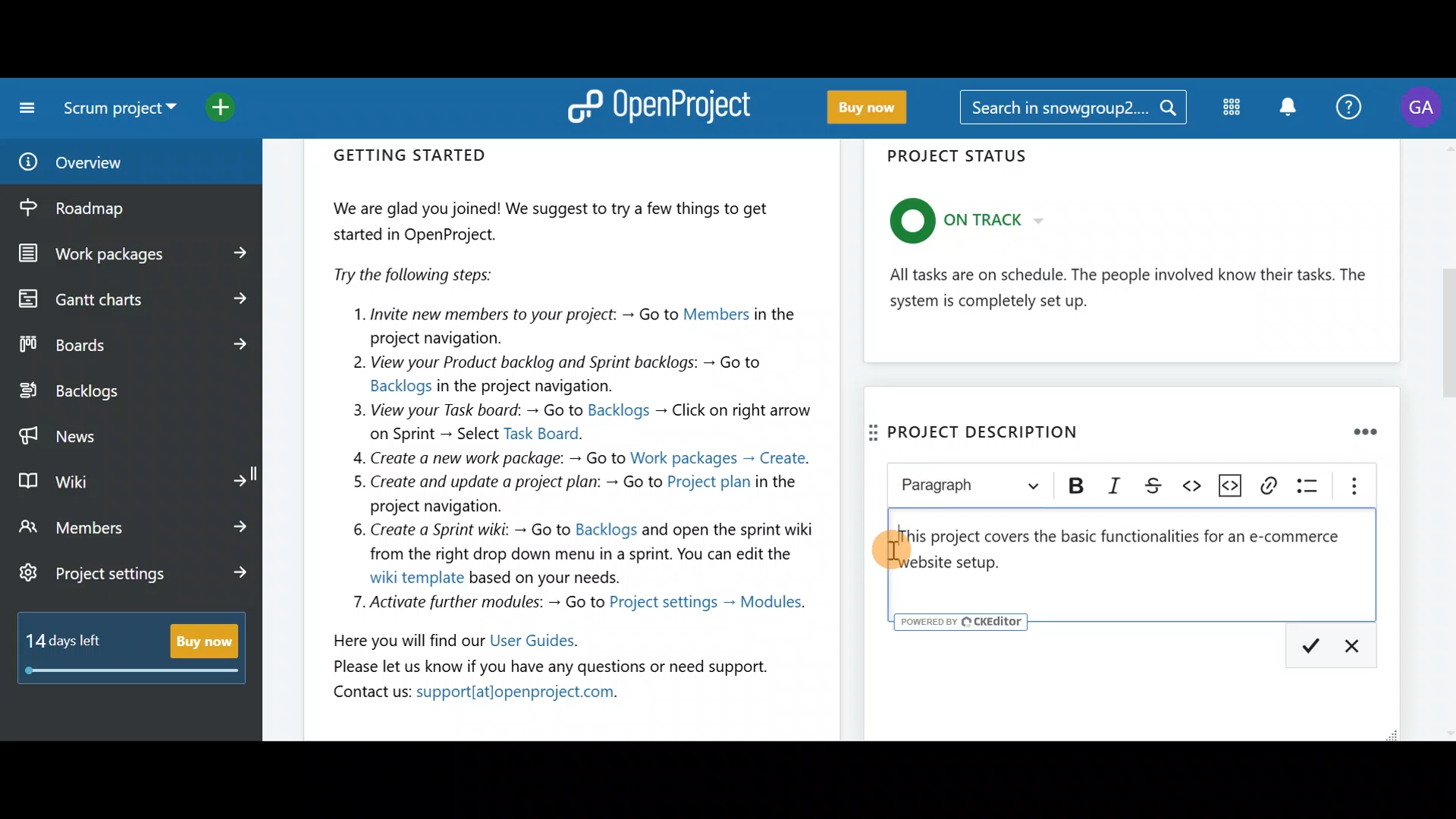 The height and width of the screenshot is (819, 1456). Describe the element at coordinates (1116, 484) in the screenshot. I see `Italic` at that location.